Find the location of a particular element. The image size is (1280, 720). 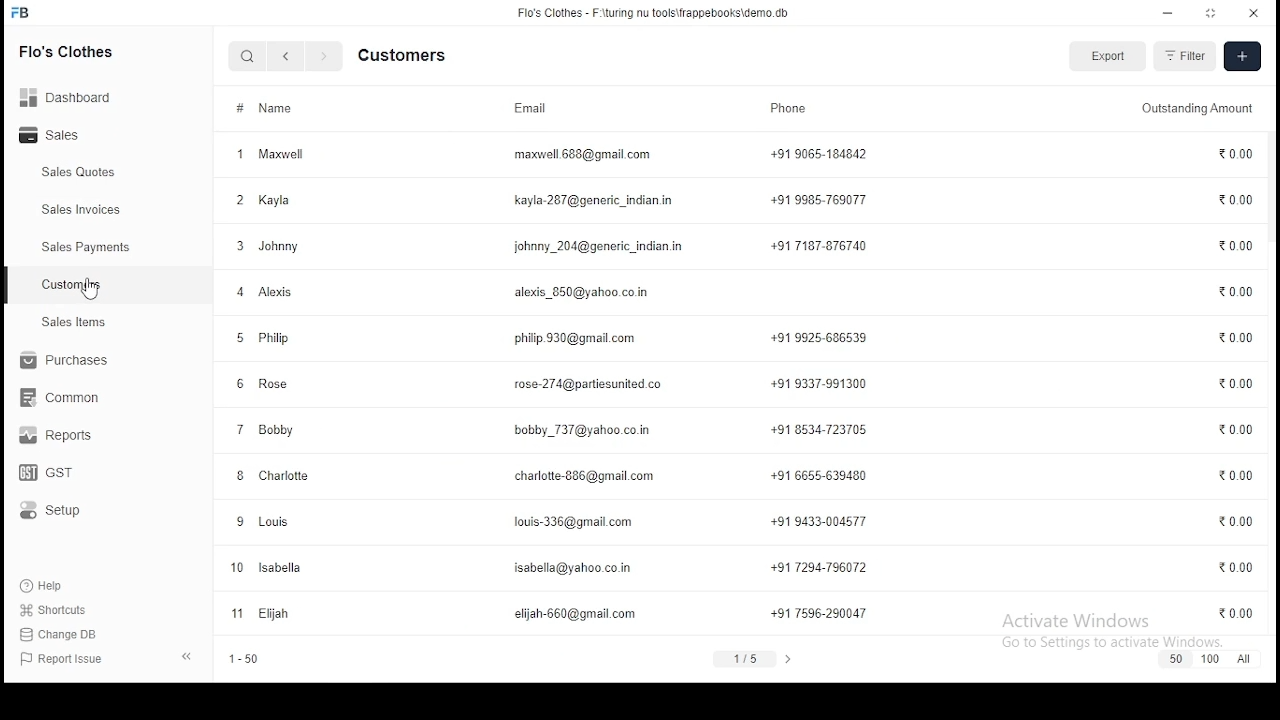

0.00 is located at coordinates (1237, 430).